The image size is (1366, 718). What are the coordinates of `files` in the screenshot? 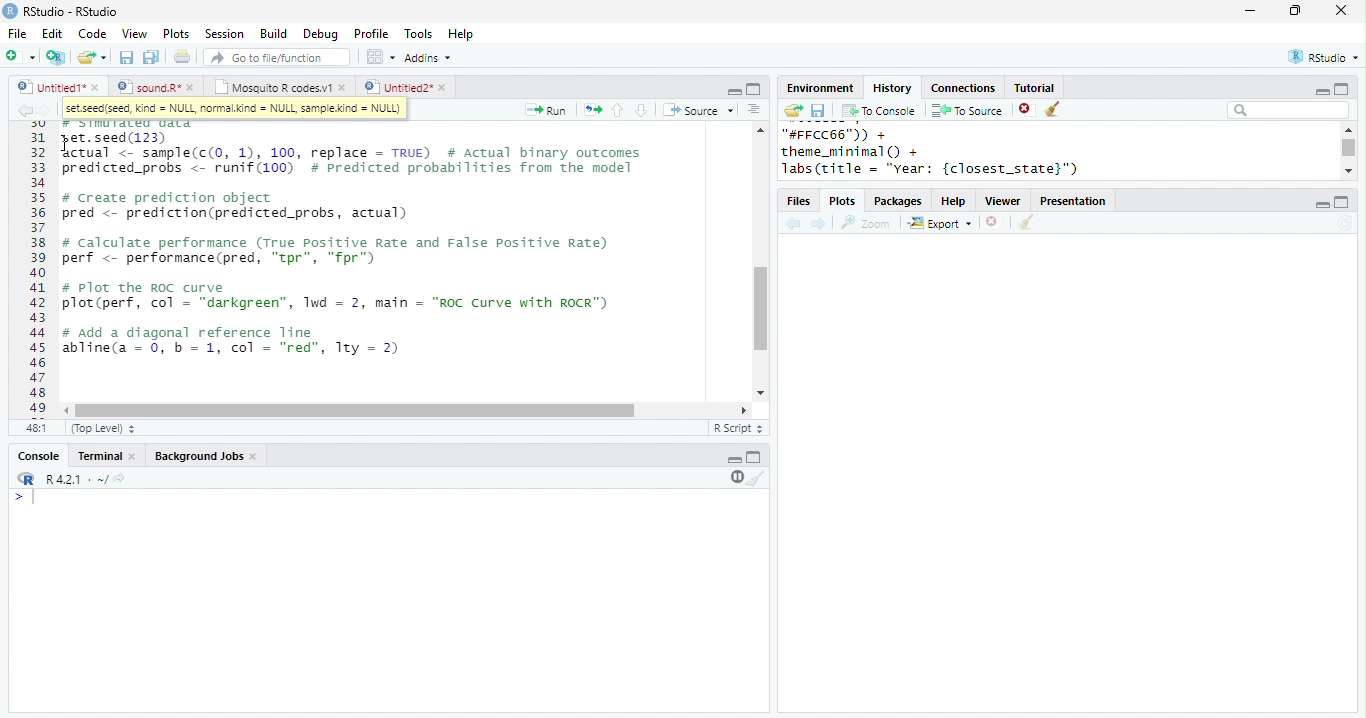 It's located at (800, 202).